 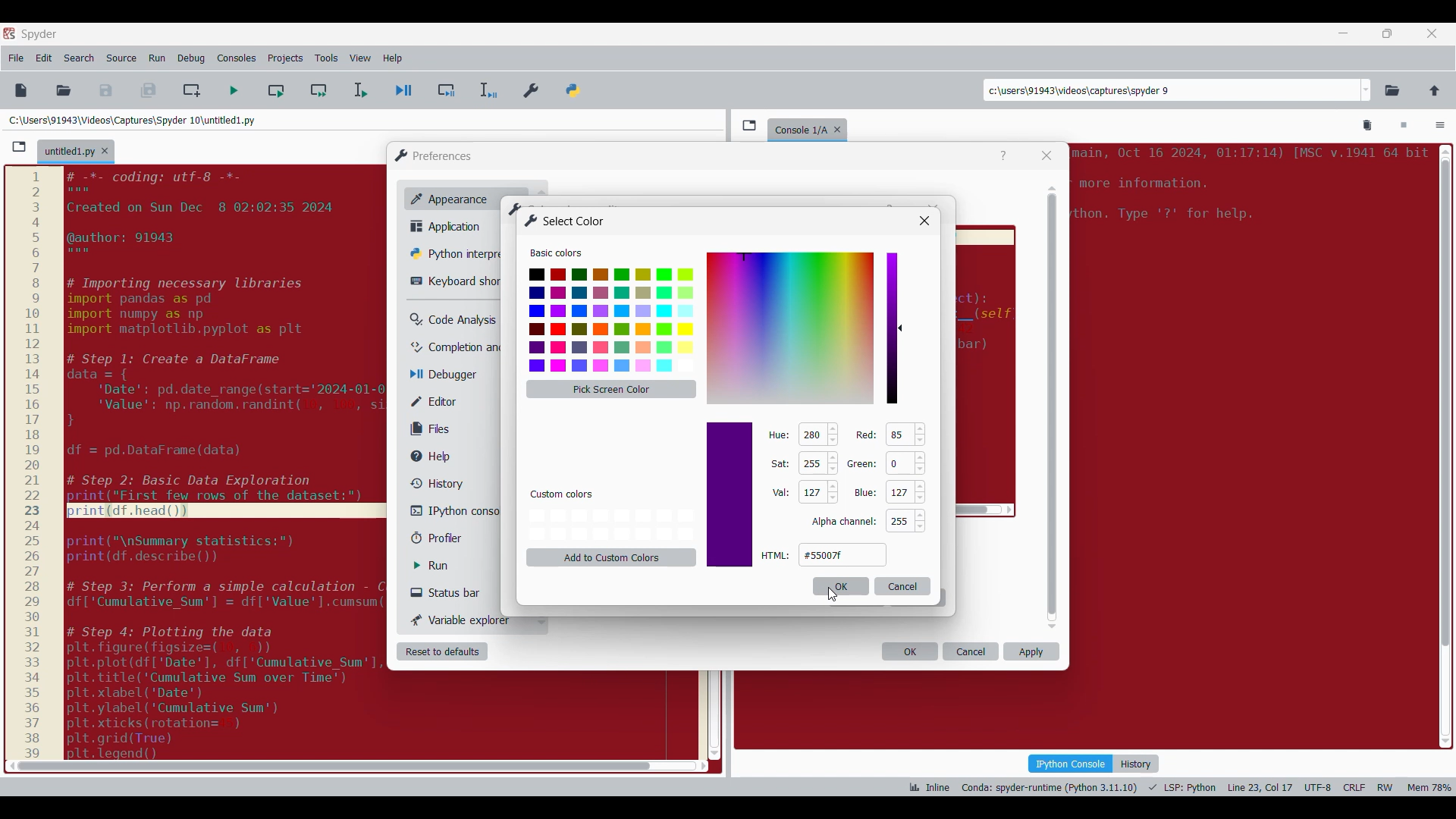 I want to click on Consoles menu, so click(x=237, y=58).